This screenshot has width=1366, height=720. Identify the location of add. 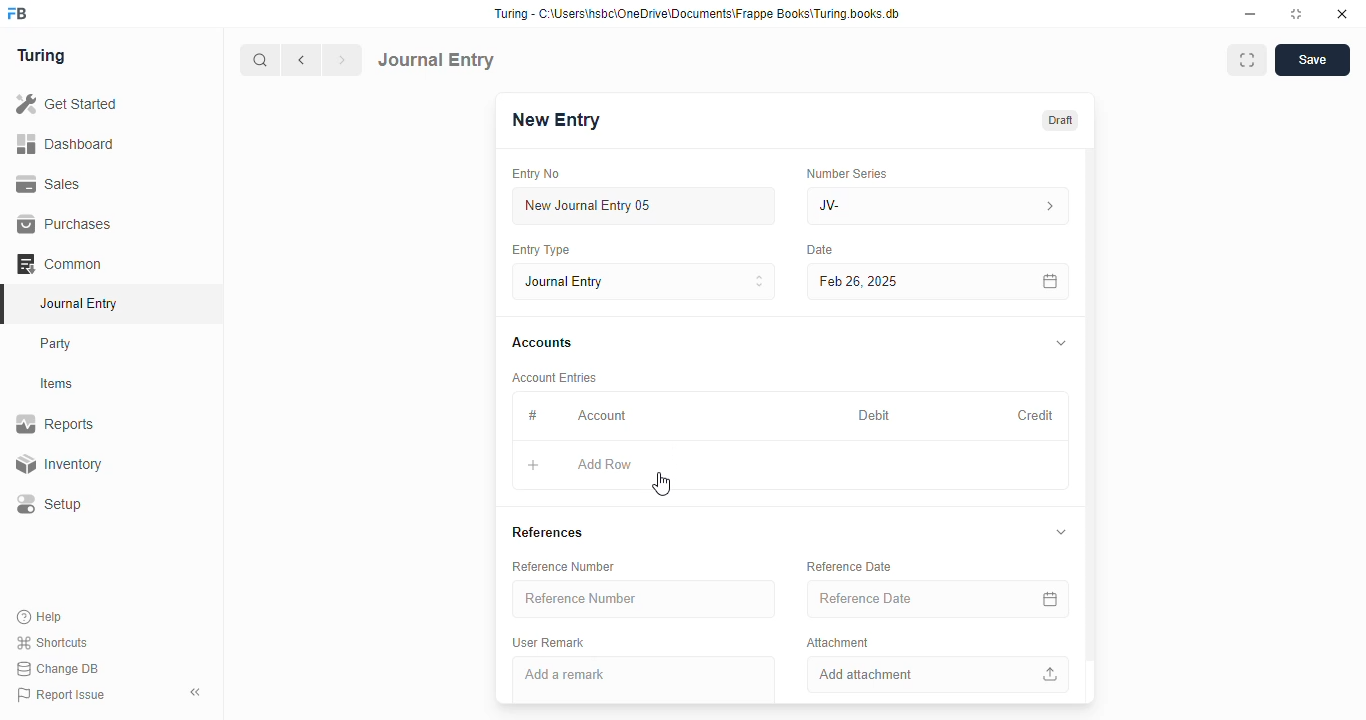
(533, 466).